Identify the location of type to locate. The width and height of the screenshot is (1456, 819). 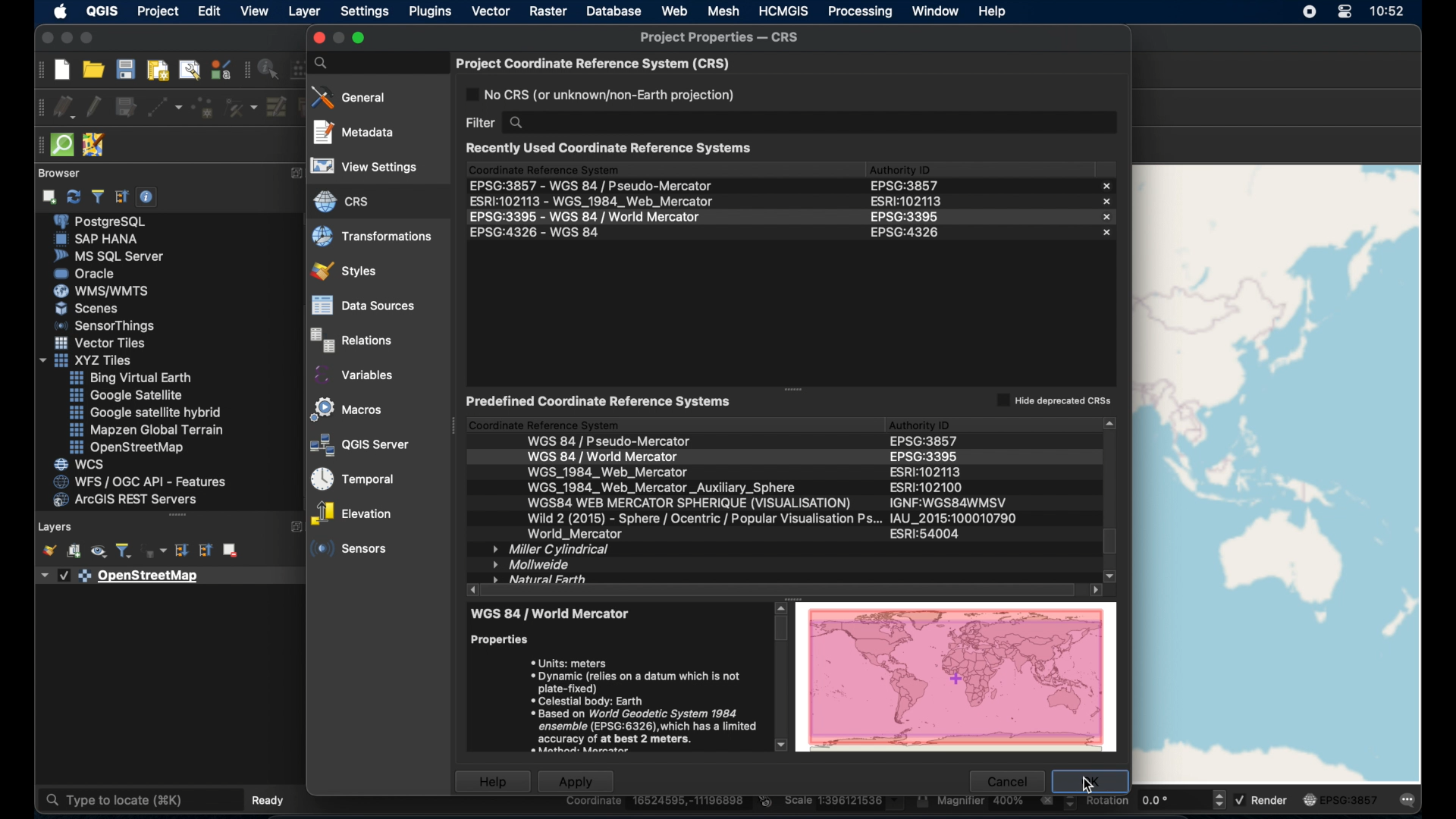
(140, 799).